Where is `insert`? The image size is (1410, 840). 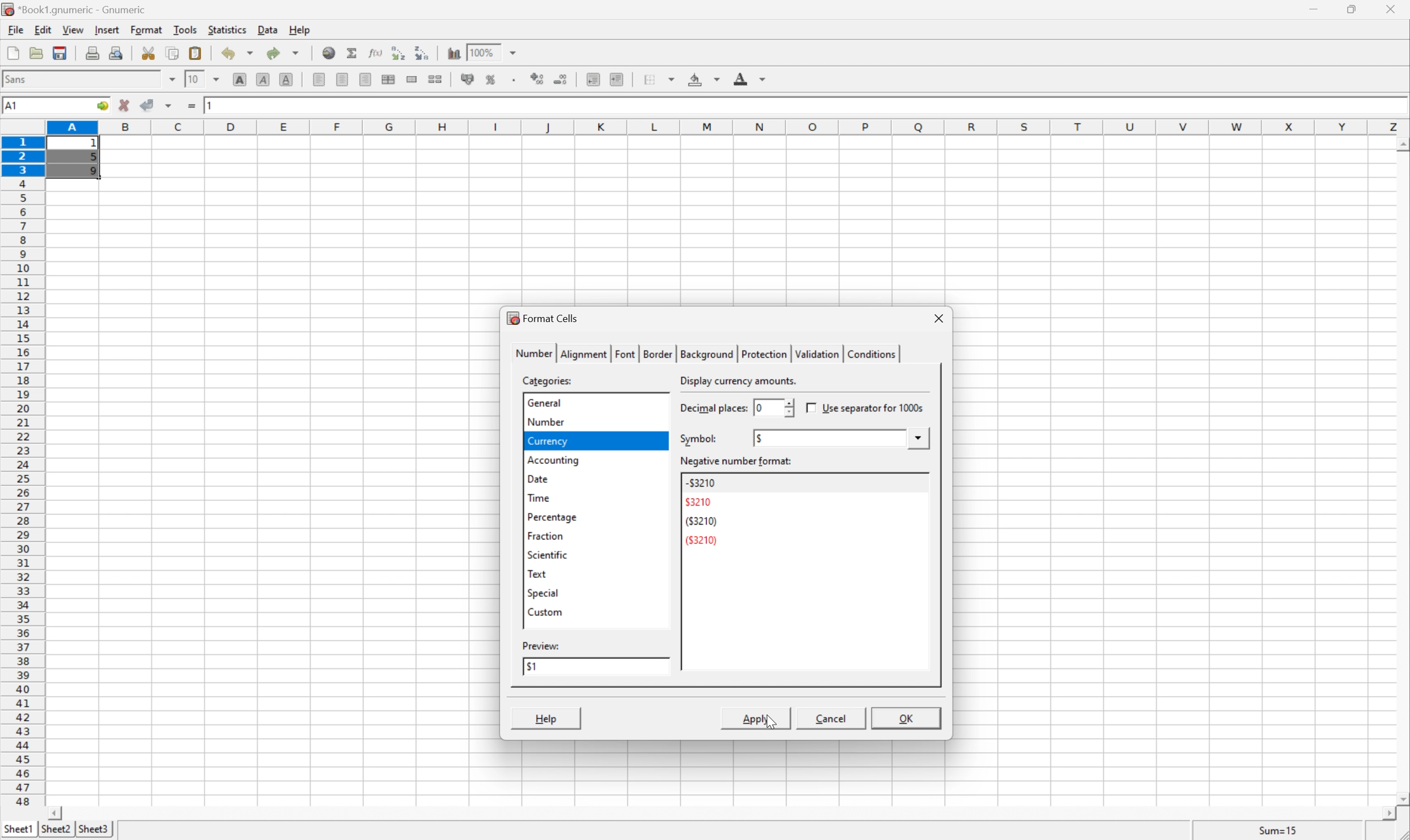
insert is located at coordinates (106, 28).